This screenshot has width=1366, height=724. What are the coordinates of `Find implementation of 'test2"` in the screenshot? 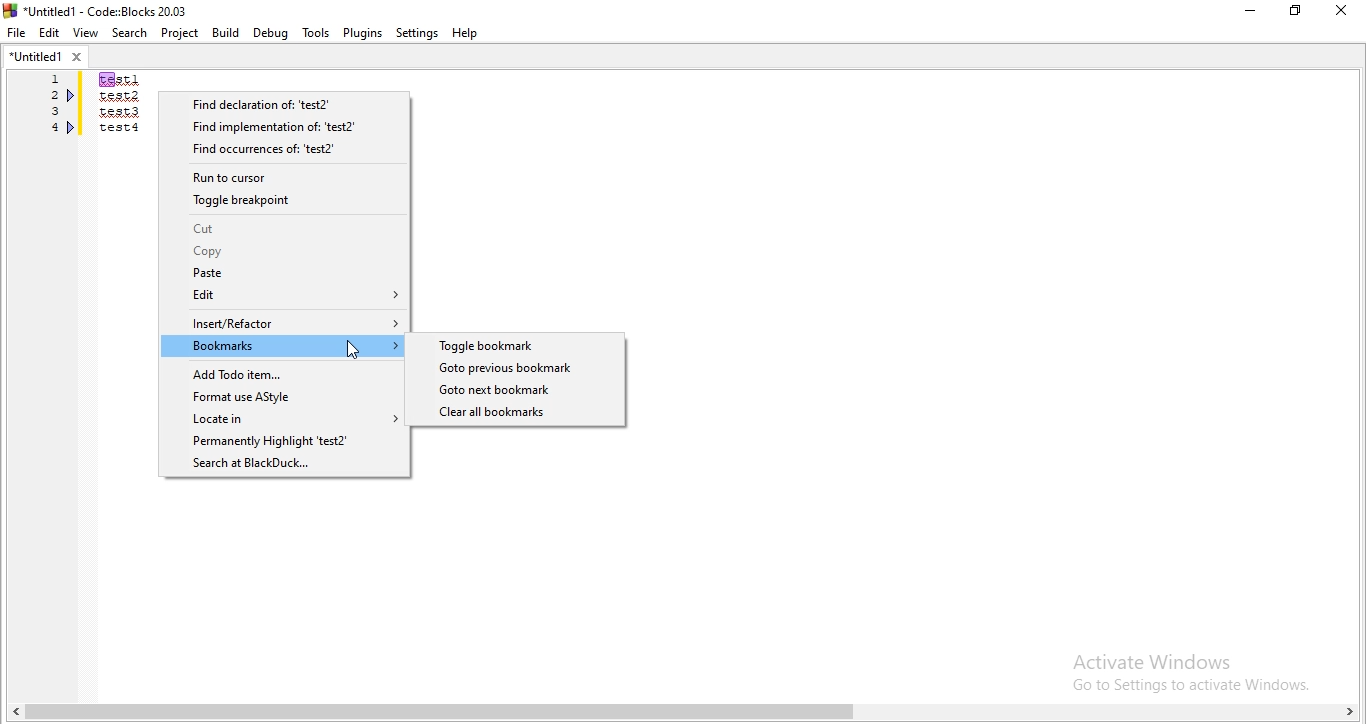 It's located at (285, 126).